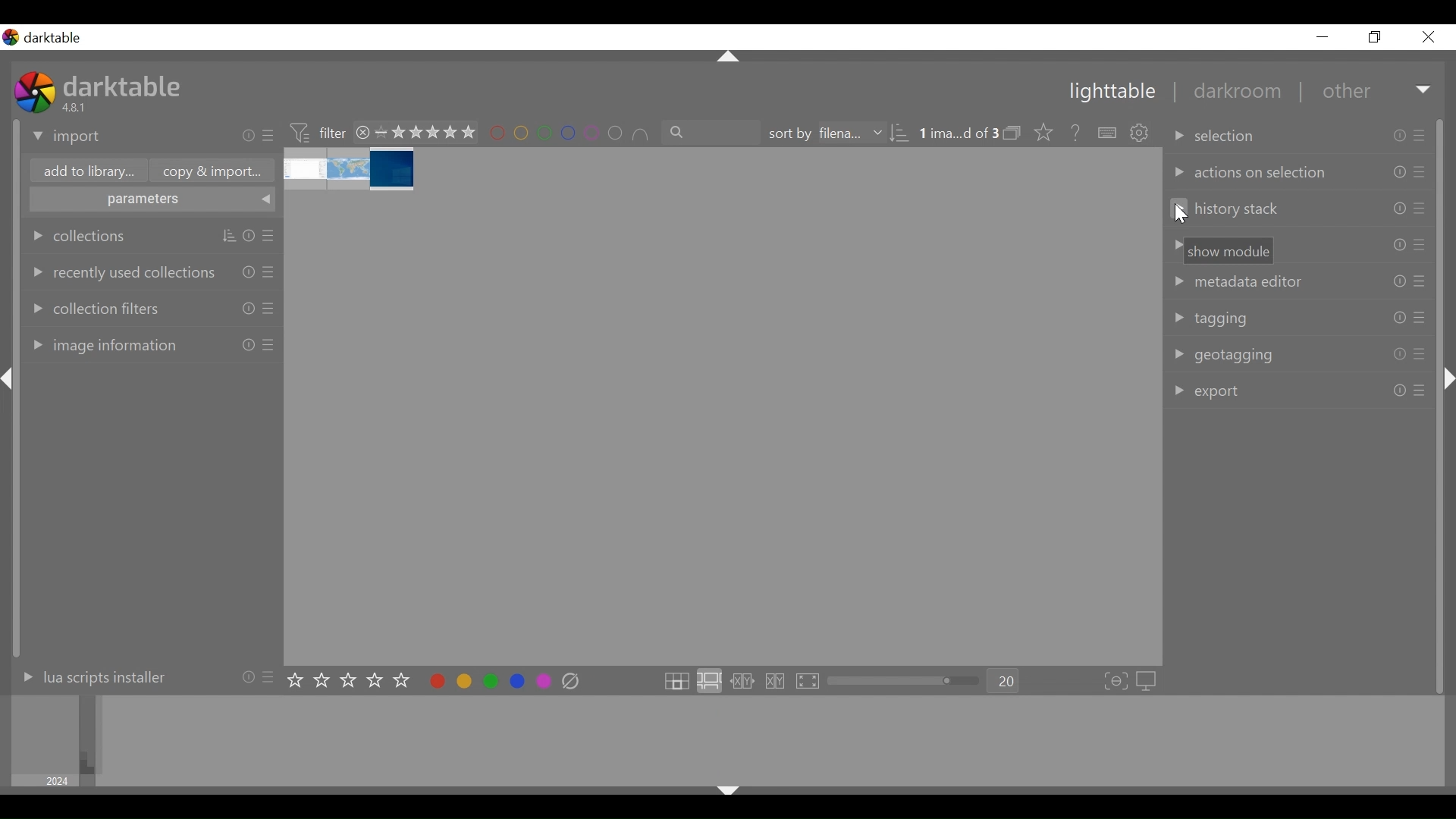 This screenshot has height=819, width=1456. What do you see at coordinates (77, 107) in the screenshot?
I see `version` at bounding box center [77, 107].